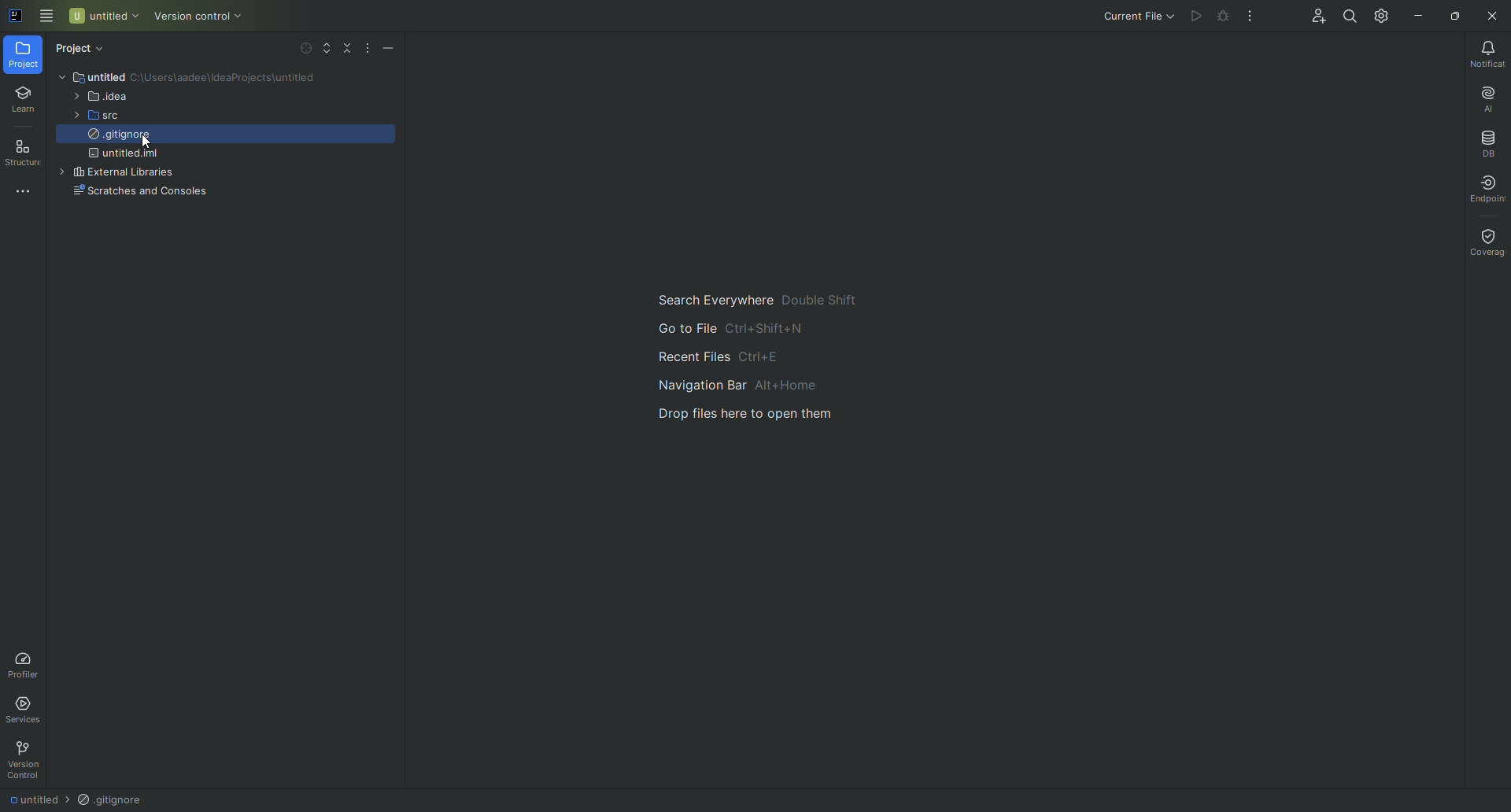 The image size is (1511, 812). What do you see at coordinates (1380, 13) in the screenshot?
I see `Updates and Settings` at bounding box center [1380, 13].